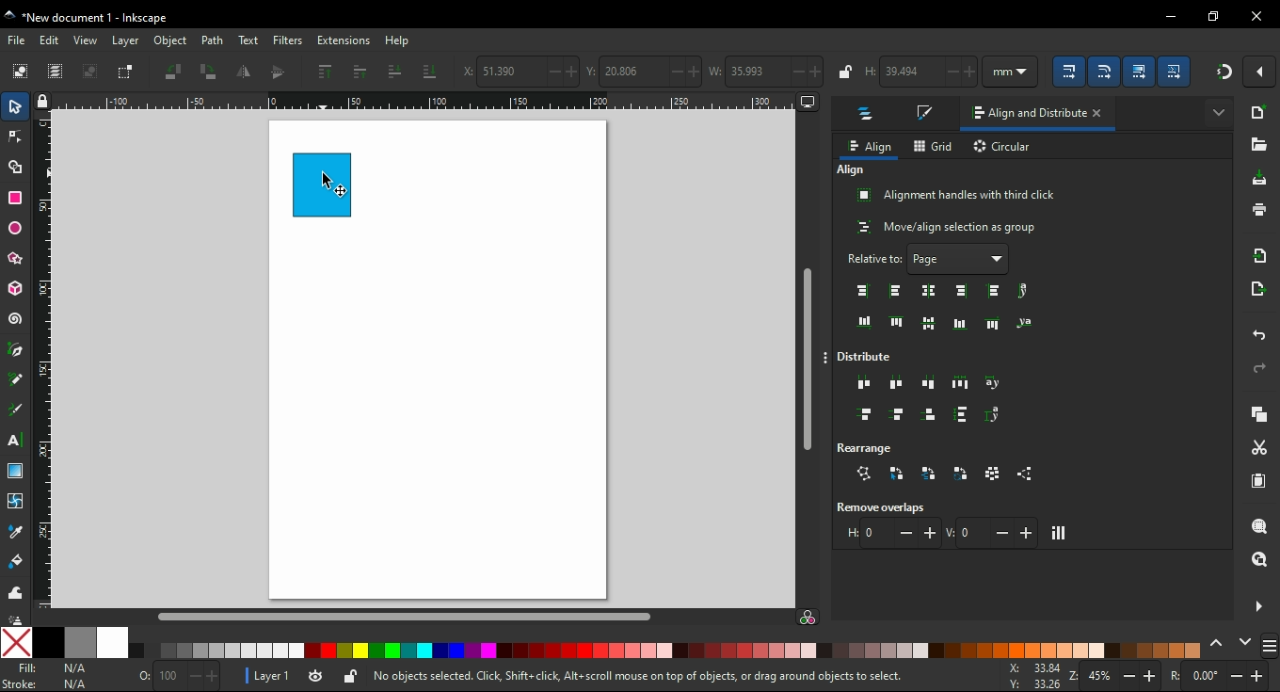 The height and width of the screenshot is (692, 1280). Describe the element at coordinates (16, 500) in the screenshot. I see `mesh tool` at that location.